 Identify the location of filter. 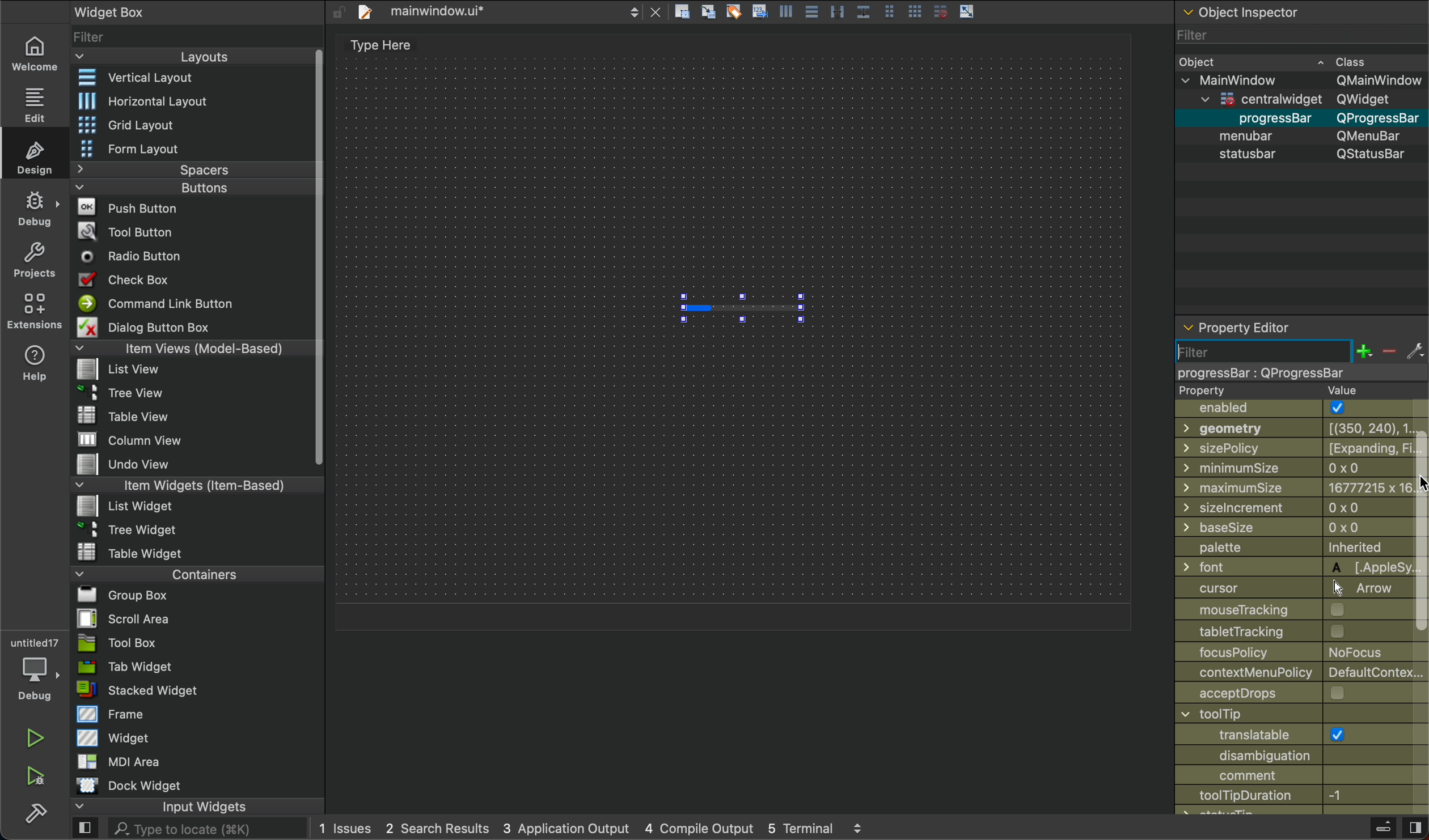
(1299, 360).